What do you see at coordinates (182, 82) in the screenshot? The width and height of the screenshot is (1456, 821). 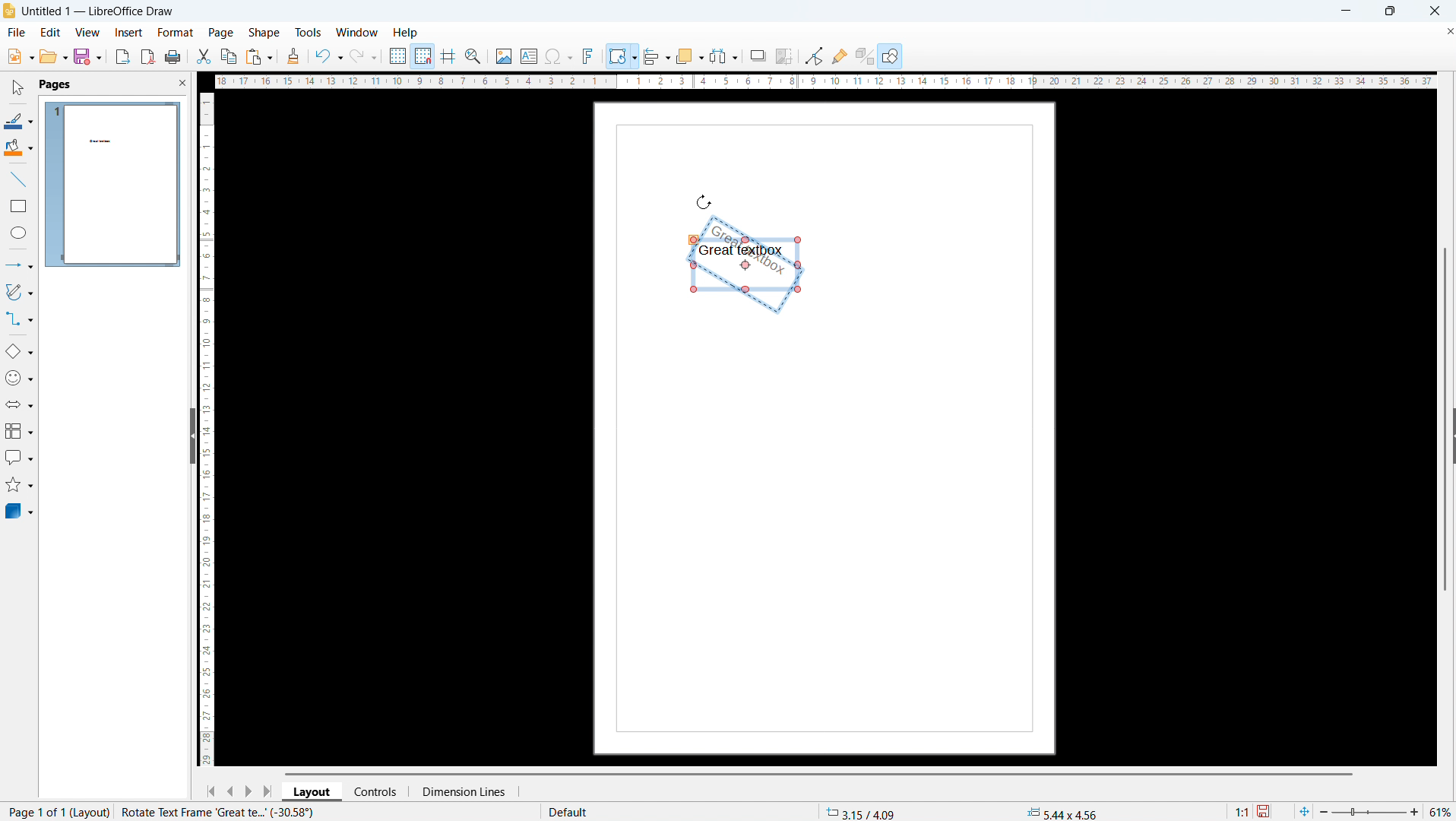 I see `close pane` at bounding box center [182, 82].